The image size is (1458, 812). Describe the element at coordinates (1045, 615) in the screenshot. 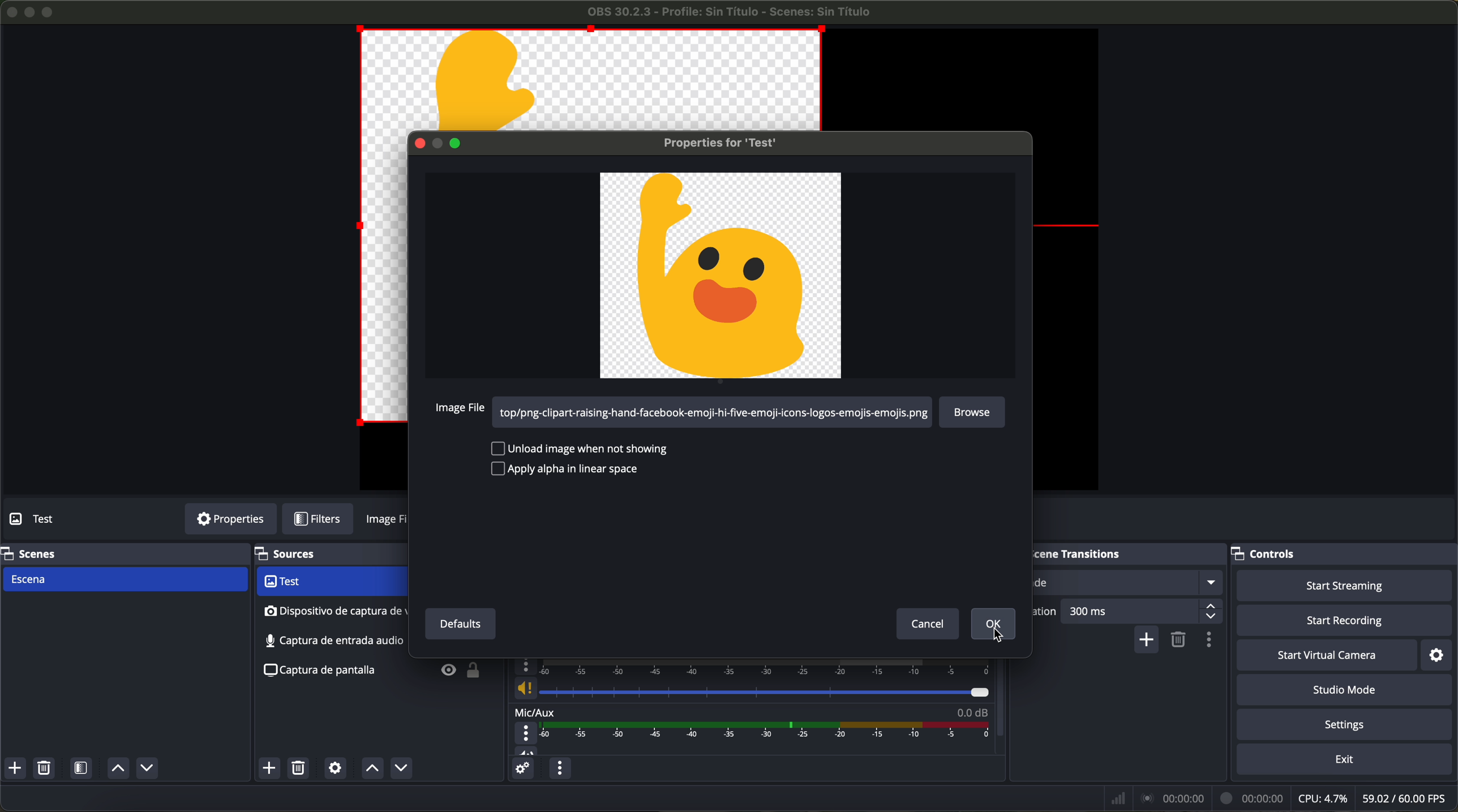

I see `duration` at that location.